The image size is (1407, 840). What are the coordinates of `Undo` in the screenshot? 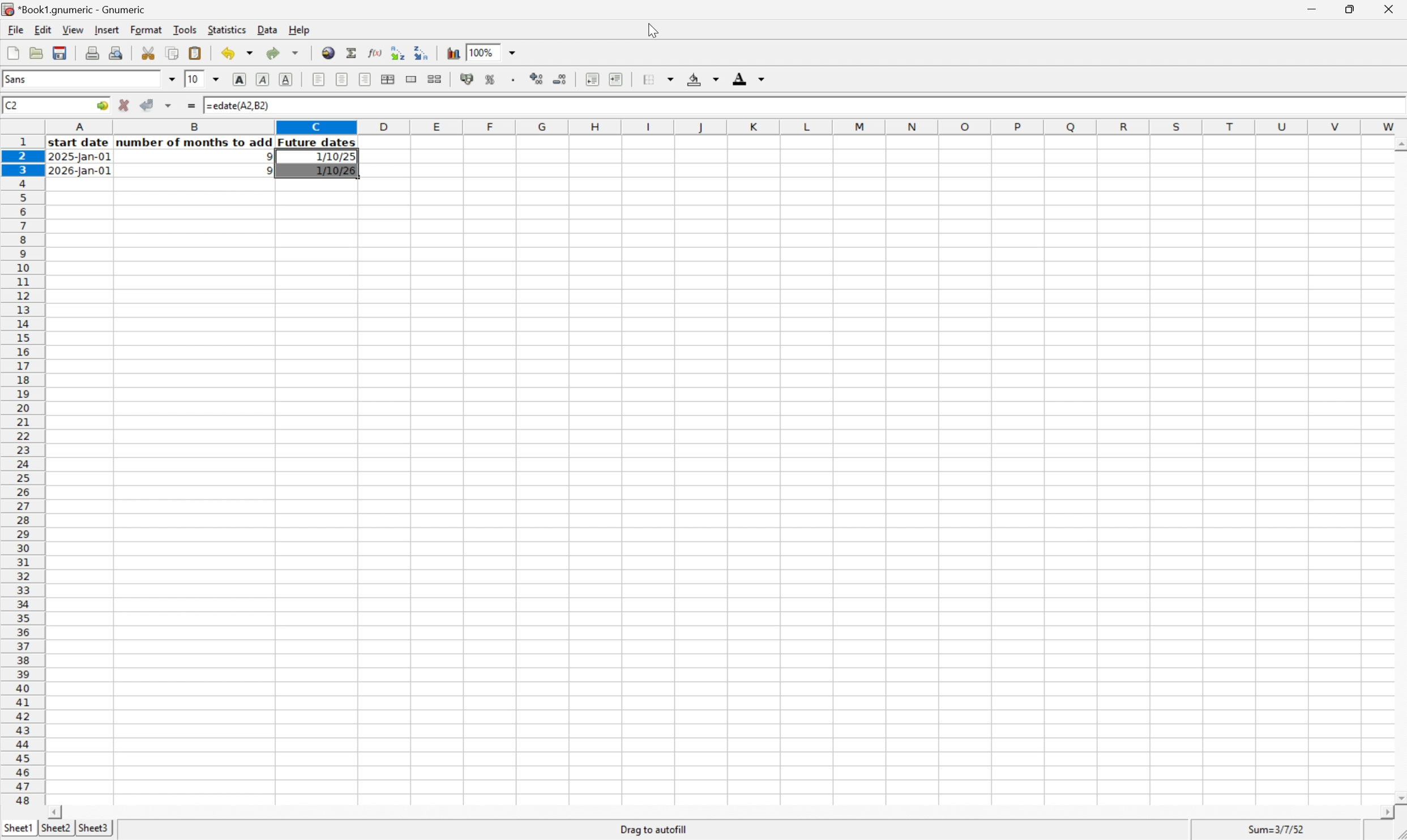 It's located at (236, 53).